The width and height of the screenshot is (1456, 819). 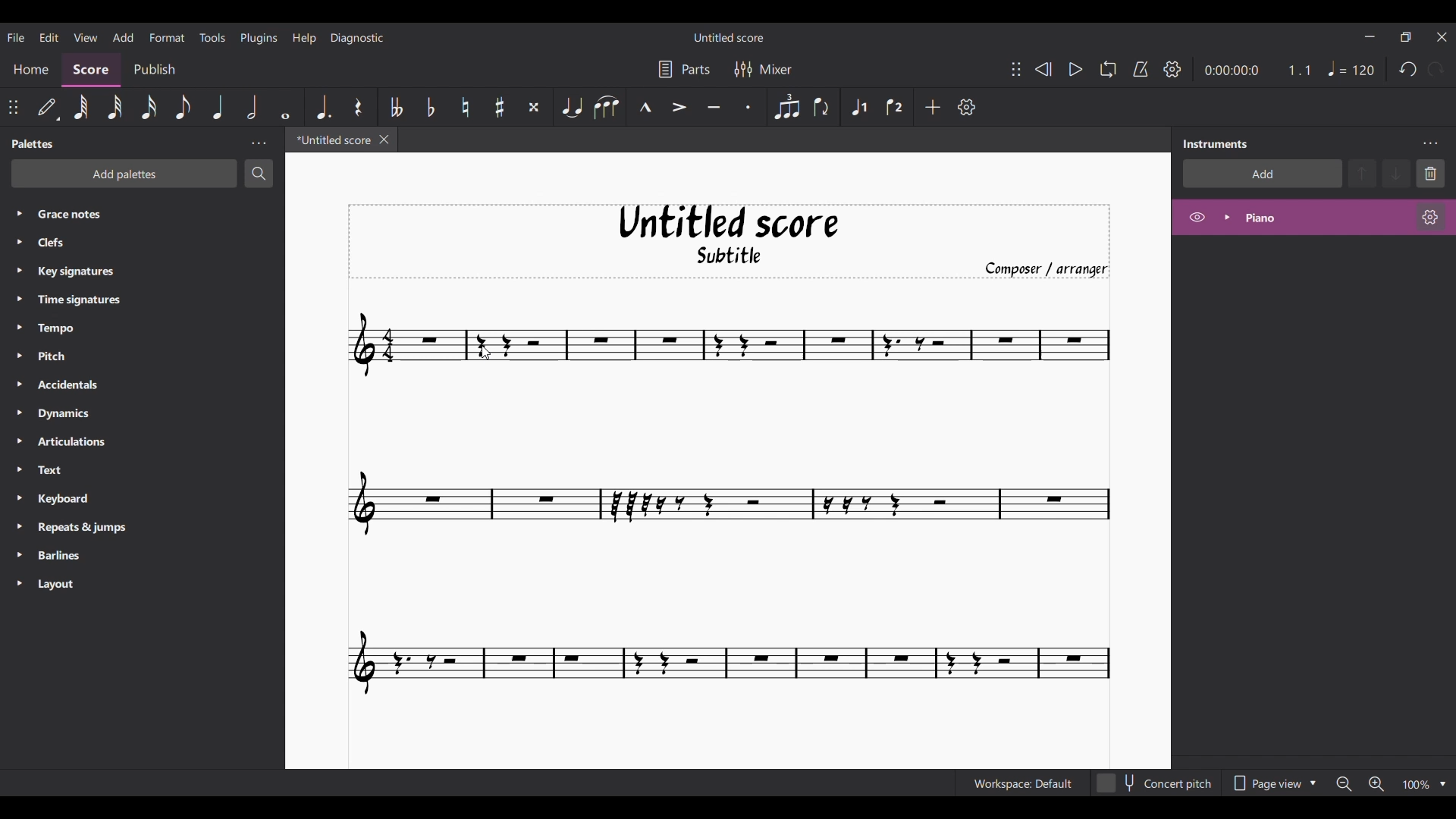 What do you see at coordinates (1016, 69) in the screenshot?
I see `Change position of toolbar attached` at bounding box center [1016, 69].